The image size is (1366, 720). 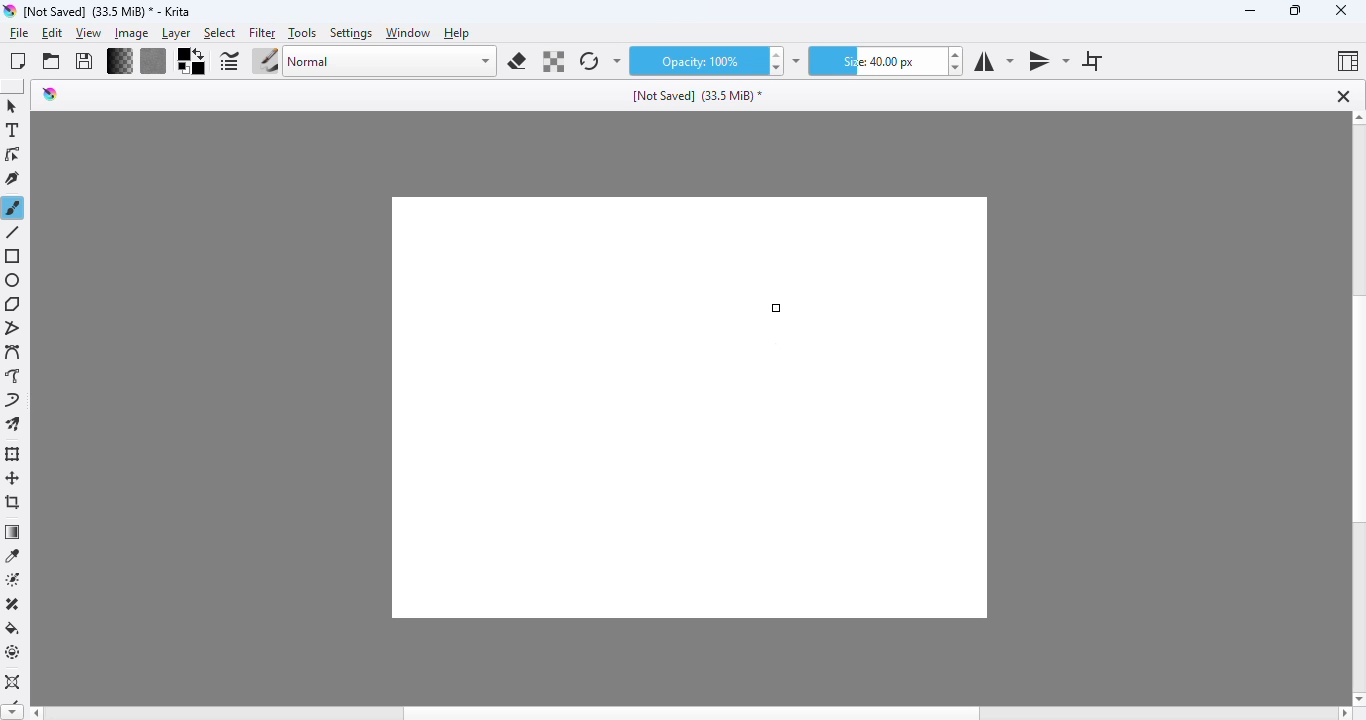 What do you see at coordinates (14, 401) in the screenshot?
I see `dynamic brush tool` at bounding box center [14, 401].